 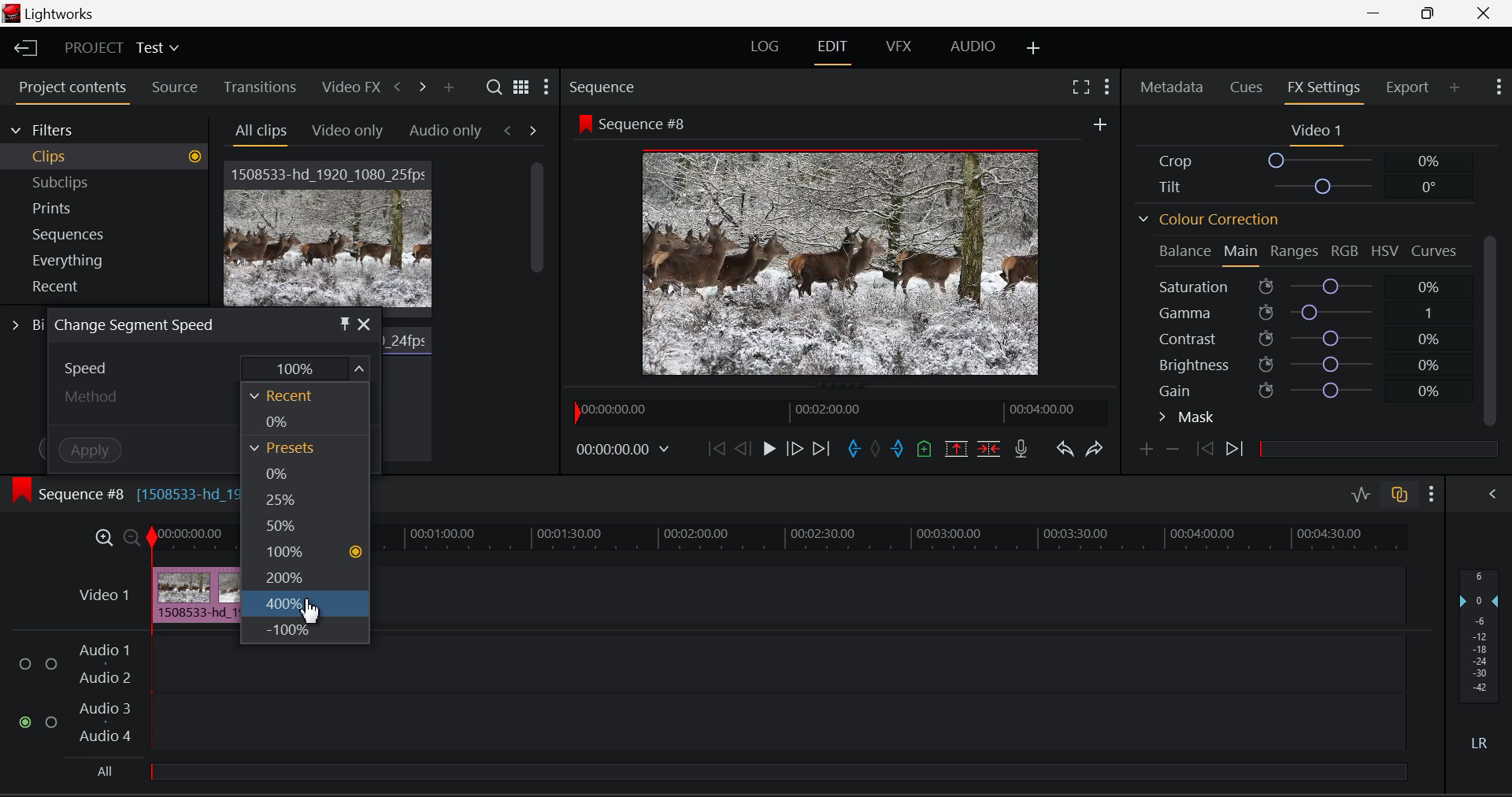 What do you see at coordinates (852, 449) in the screenshot?
I see `Cut In` at bounding box center [852, 449].